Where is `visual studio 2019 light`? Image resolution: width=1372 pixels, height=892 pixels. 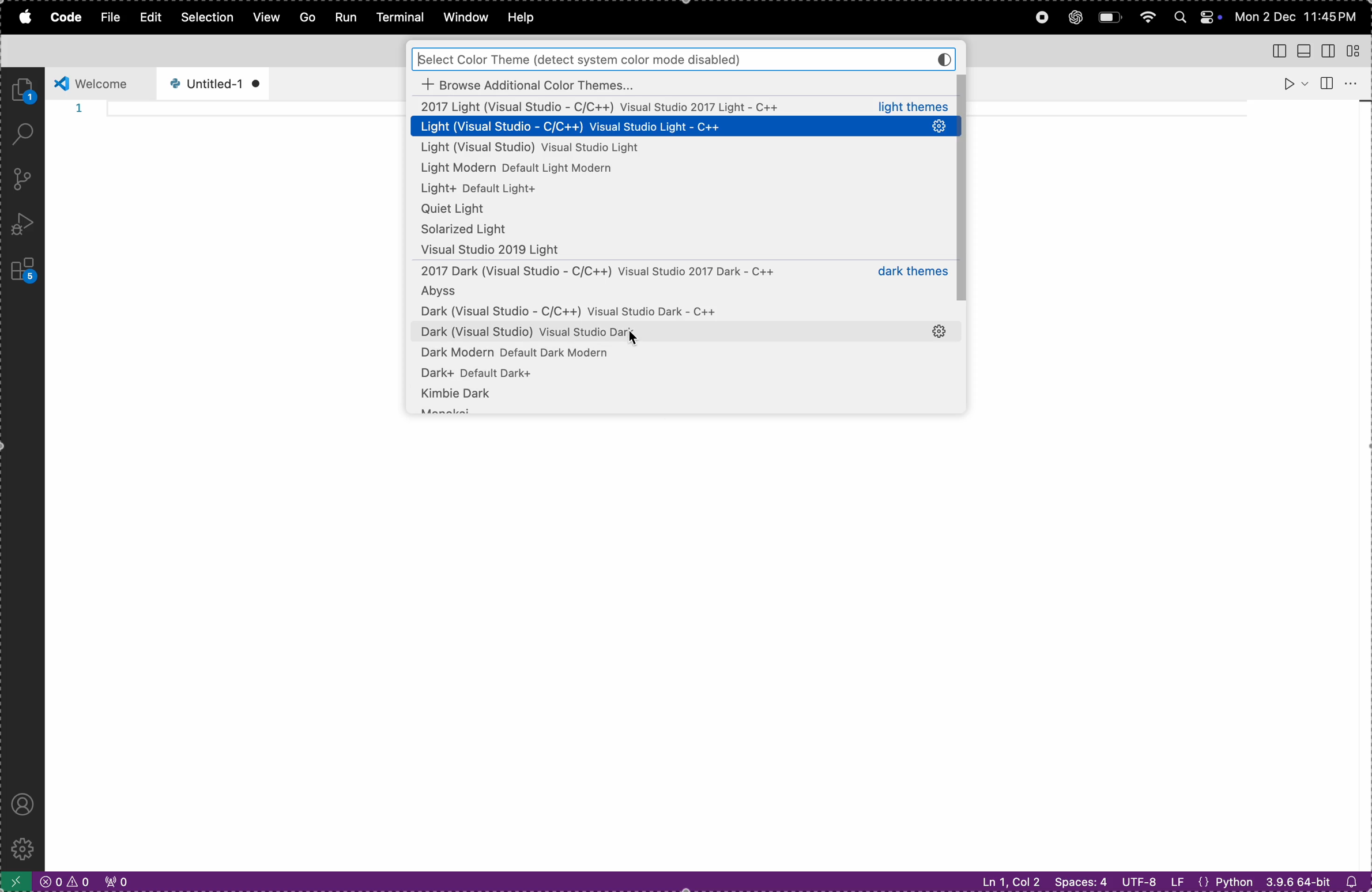
visual studio 2019 light is located at coordinates (685, 251).